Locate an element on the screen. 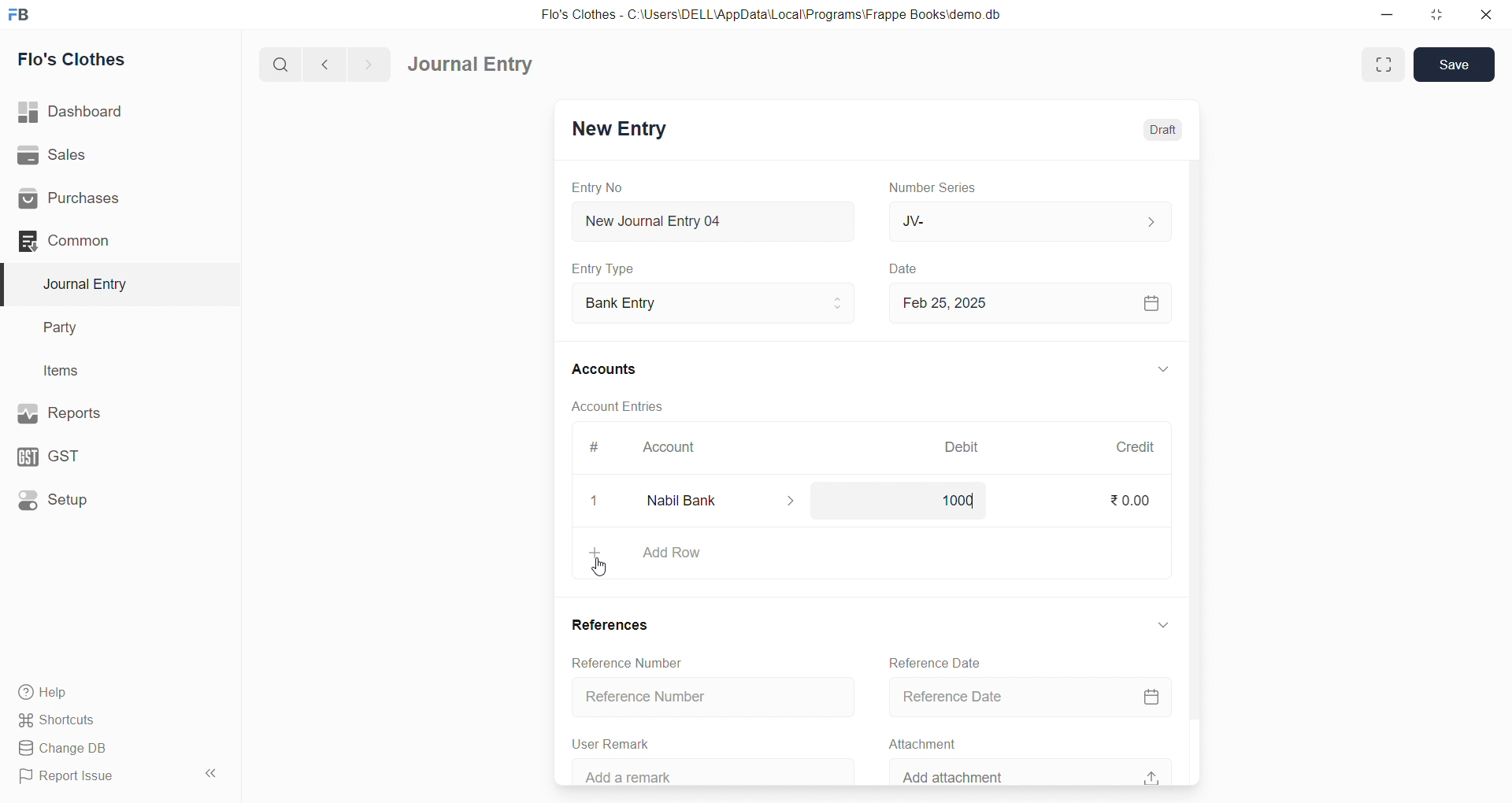 Image resolution: width=1512 pixels, height=803 pixels. search is located at coordinates (283, 63).